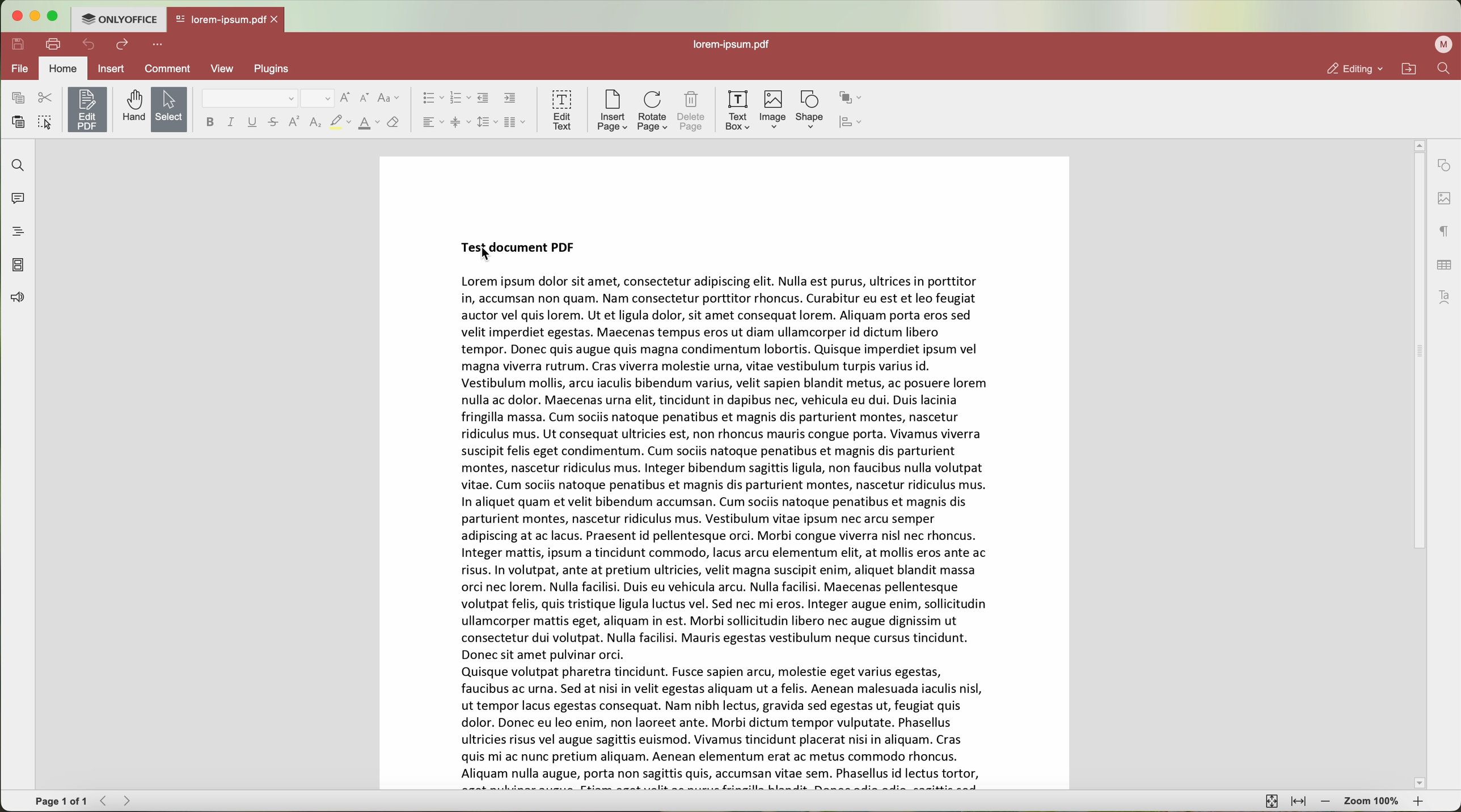 The image size is (1461, 812). Describe the element at coordinates (57, 802) in the screenshot. I see `page 1 of 1` at that location.